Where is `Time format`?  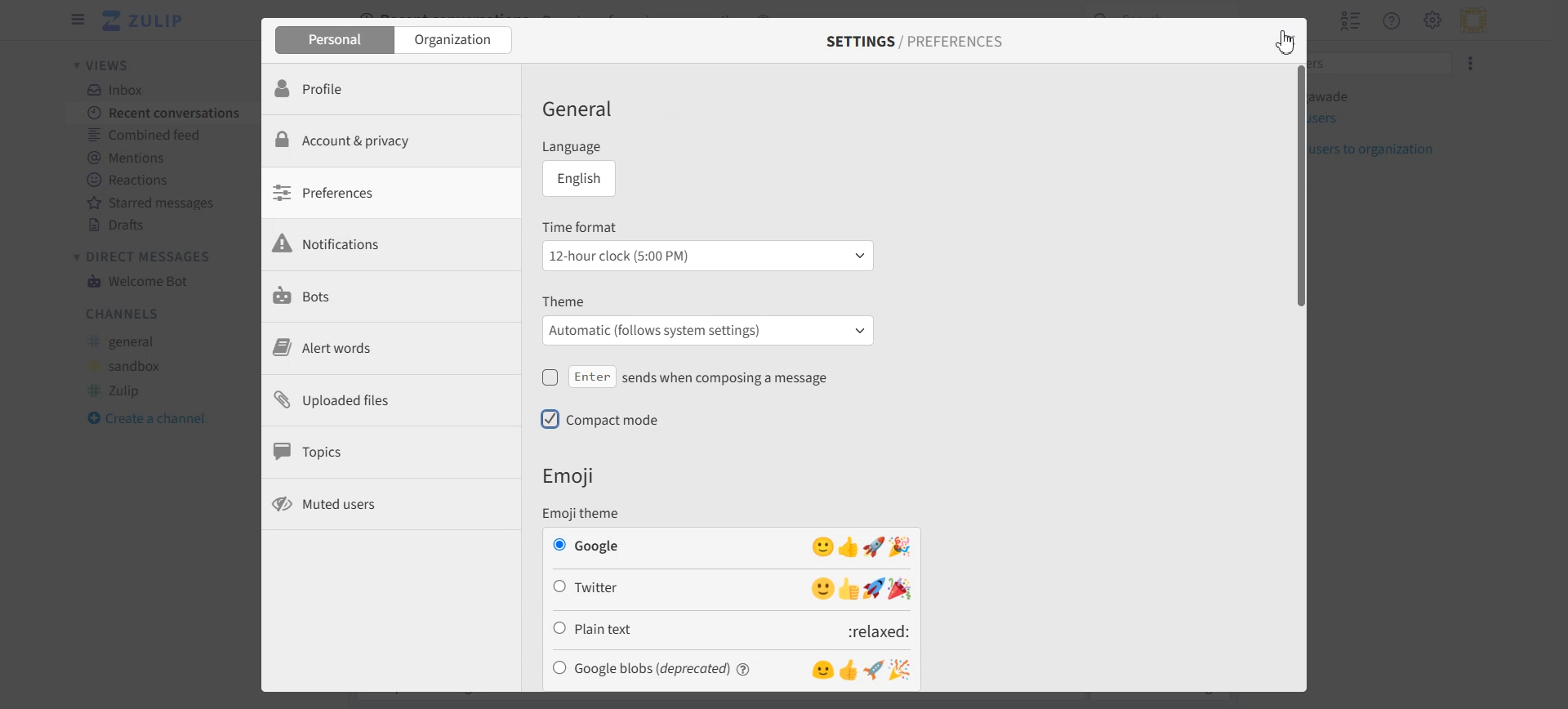
Time format is located at coordinates (709, 225).